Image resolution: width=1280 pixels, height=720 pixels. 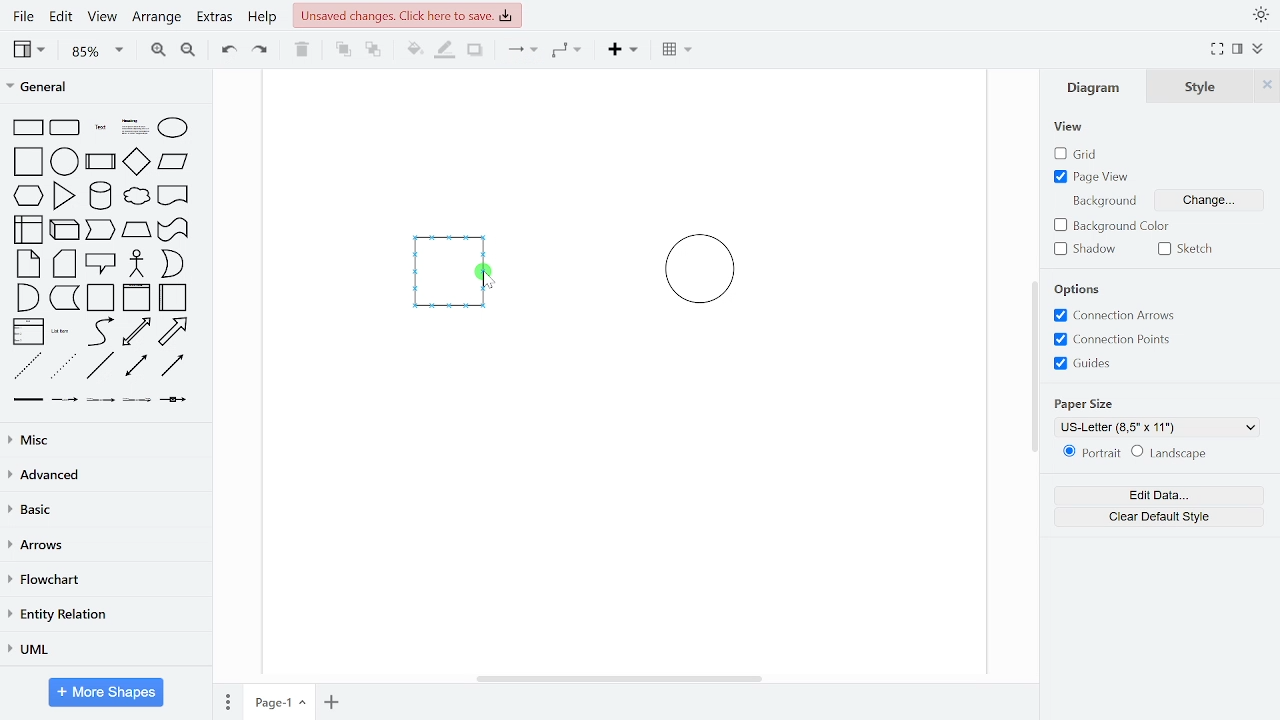 What do you see at coordinates (679, 51) in the screenshot?
I see `table` at bounding box center [679, 51].